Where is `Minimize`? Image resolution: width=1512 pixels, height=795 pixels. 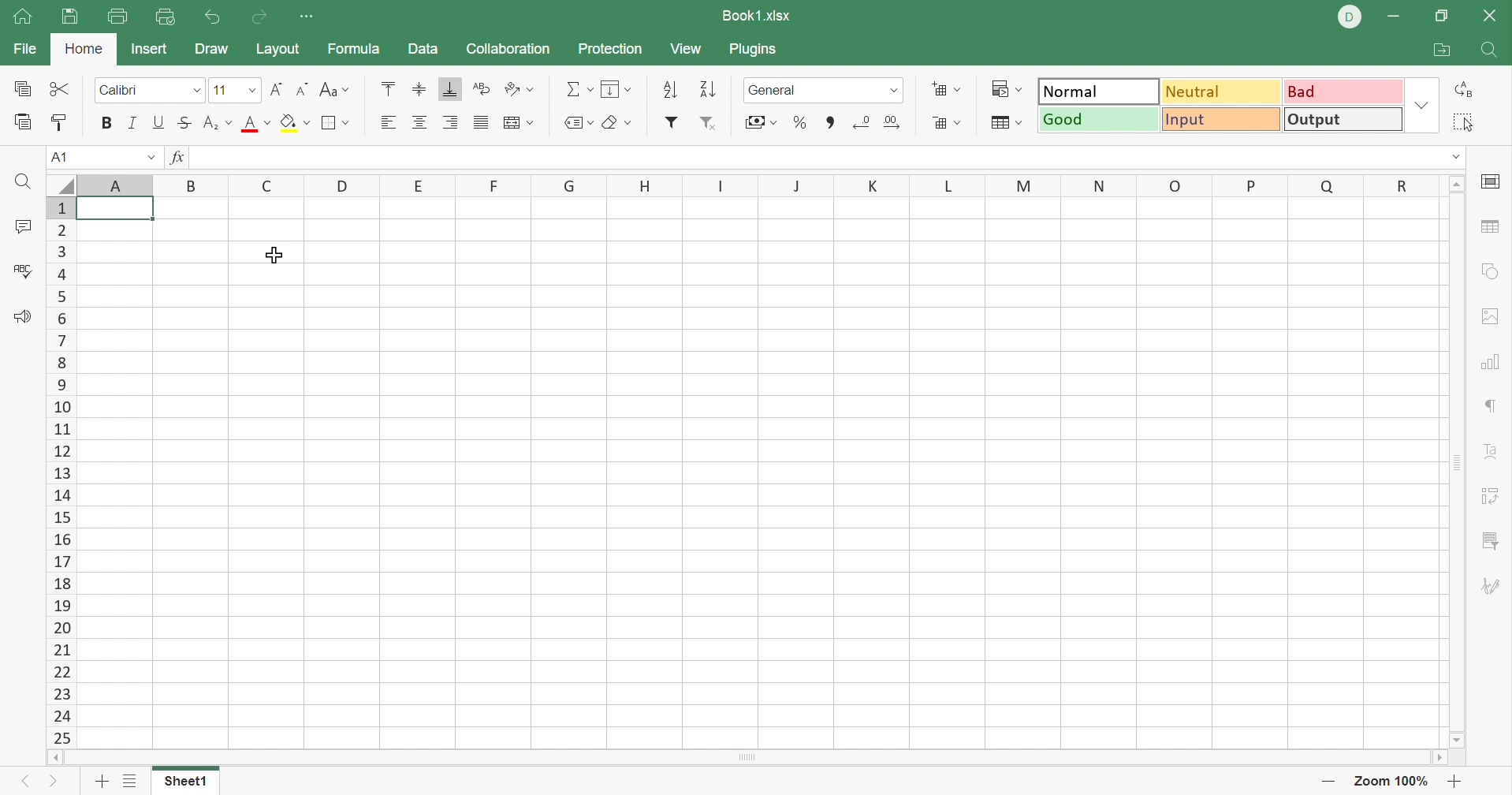 Minimize is located at coordinates (1392, 17).